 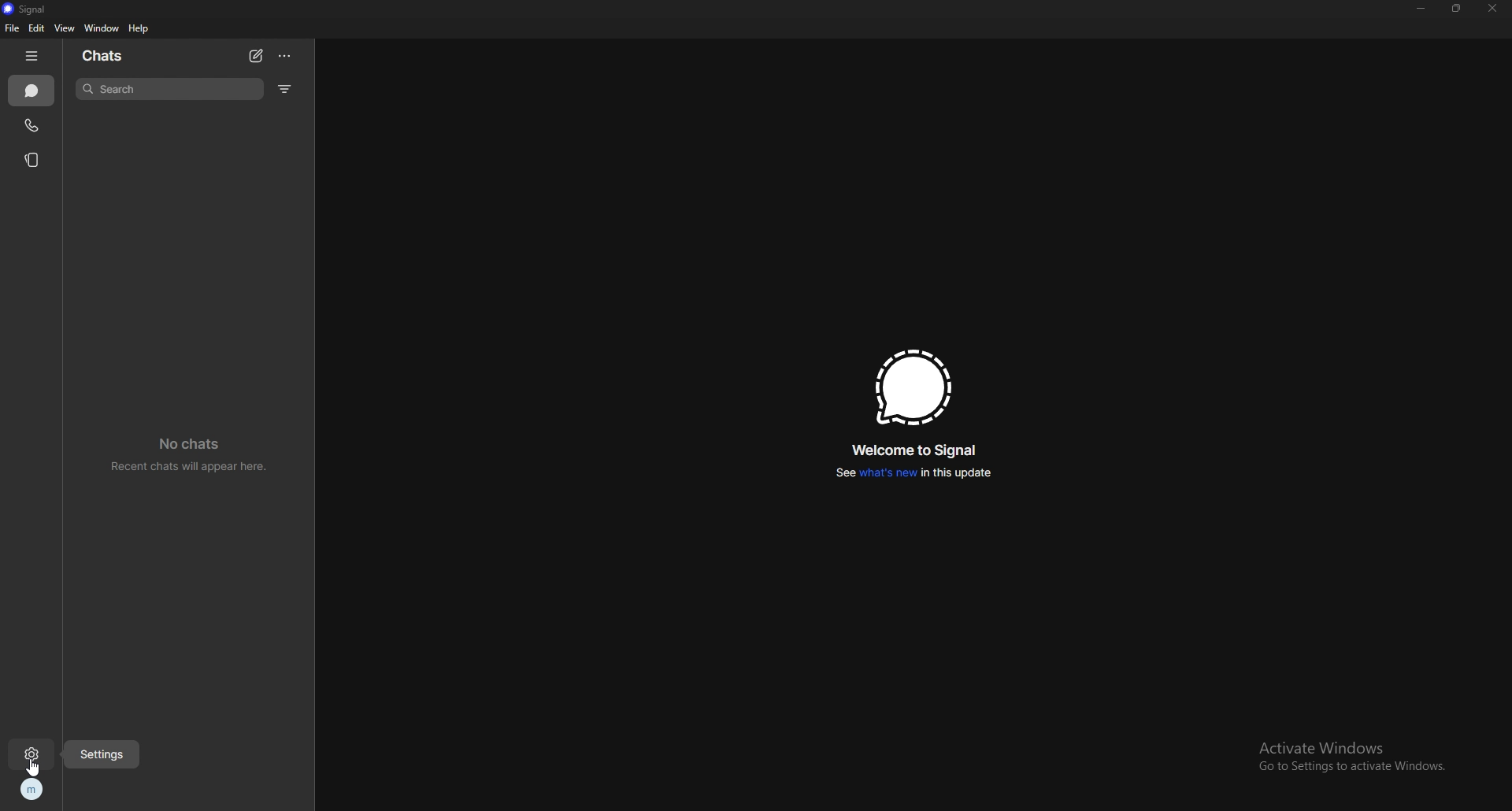 What do you see at coordinates (913, 475) in the screenshot?
I see `whats new` at bounding box center [913, 475].